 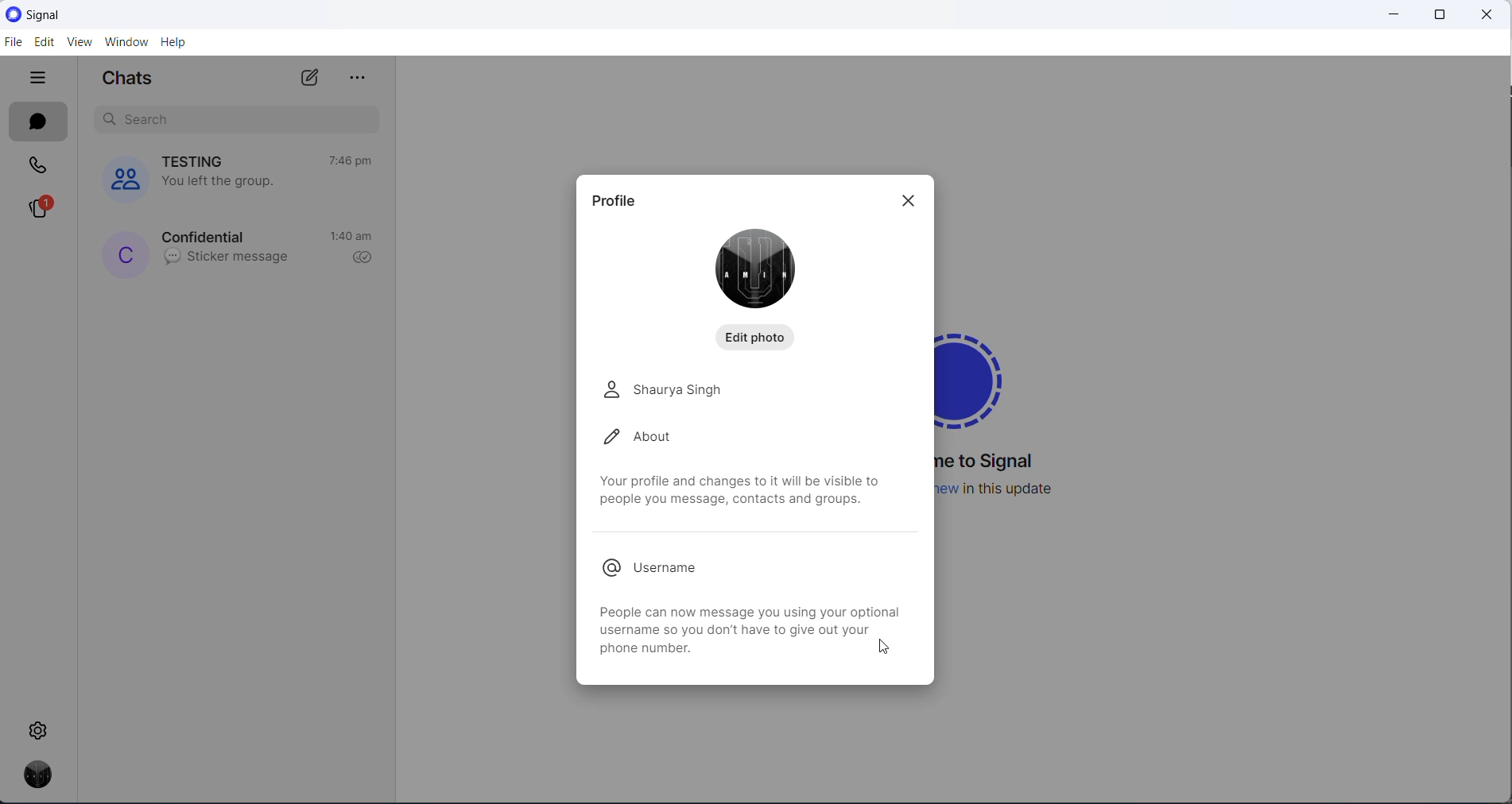 What do you see at coordinates (610, 389) in the screenshot?
I see `person icon` at bounding box center [610, 389].